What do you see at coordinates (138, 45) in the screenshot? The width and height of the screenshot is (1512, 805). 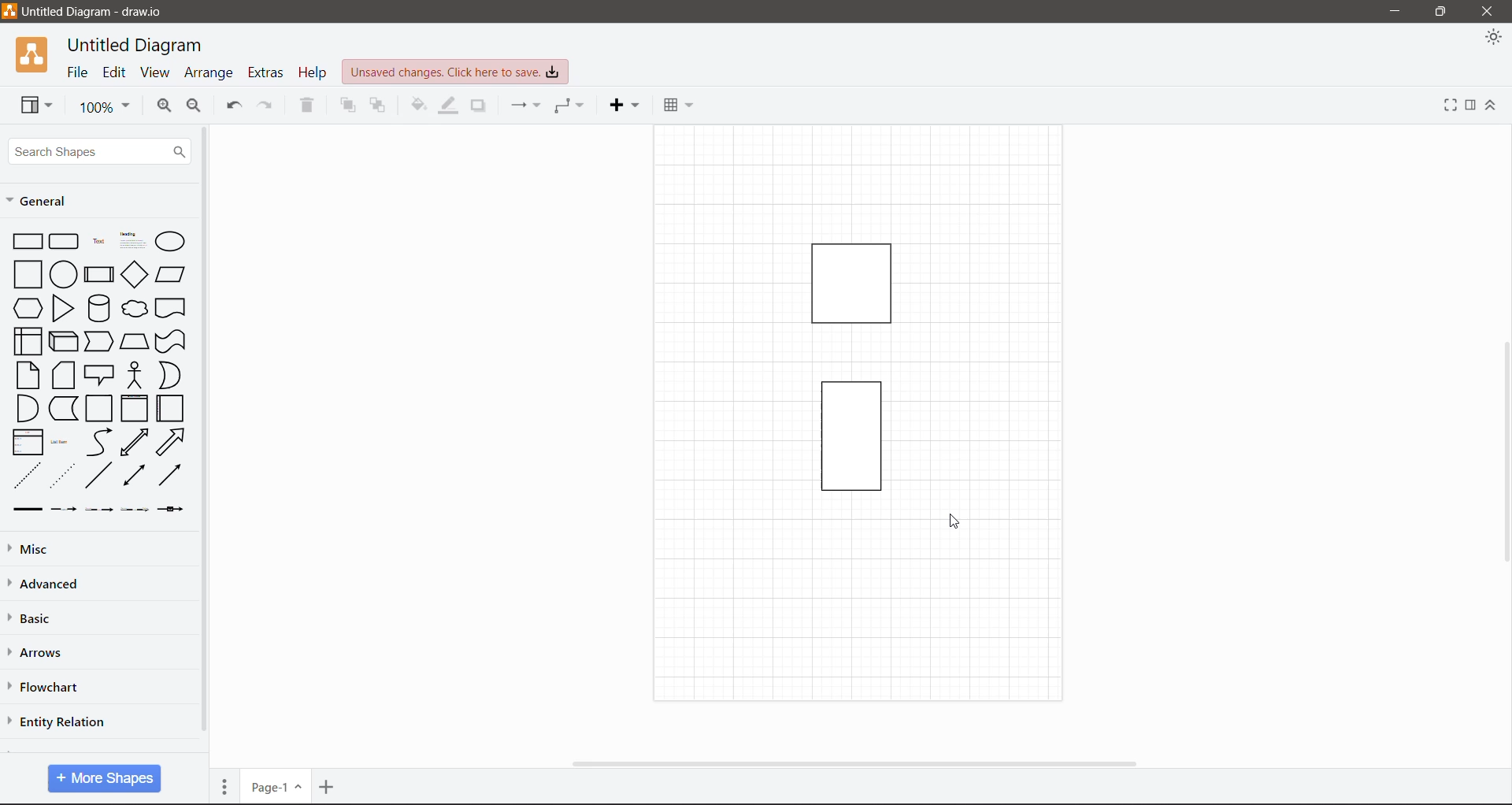 I see `` at bounding box center [138, 45].